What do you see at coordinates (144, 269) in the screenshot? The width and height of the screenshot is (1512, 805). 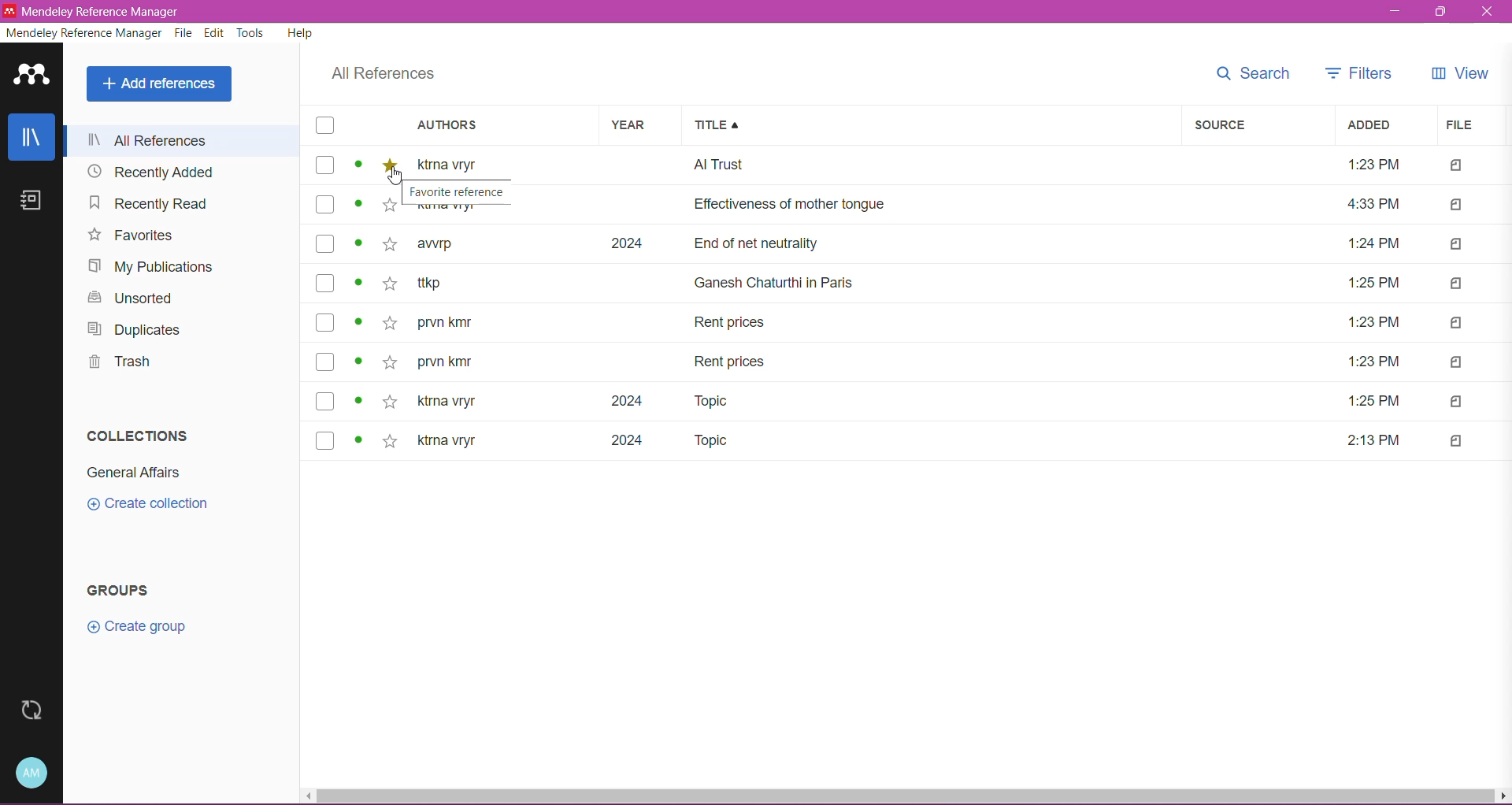 I see `My Publications` at bounding box center [144, 269].